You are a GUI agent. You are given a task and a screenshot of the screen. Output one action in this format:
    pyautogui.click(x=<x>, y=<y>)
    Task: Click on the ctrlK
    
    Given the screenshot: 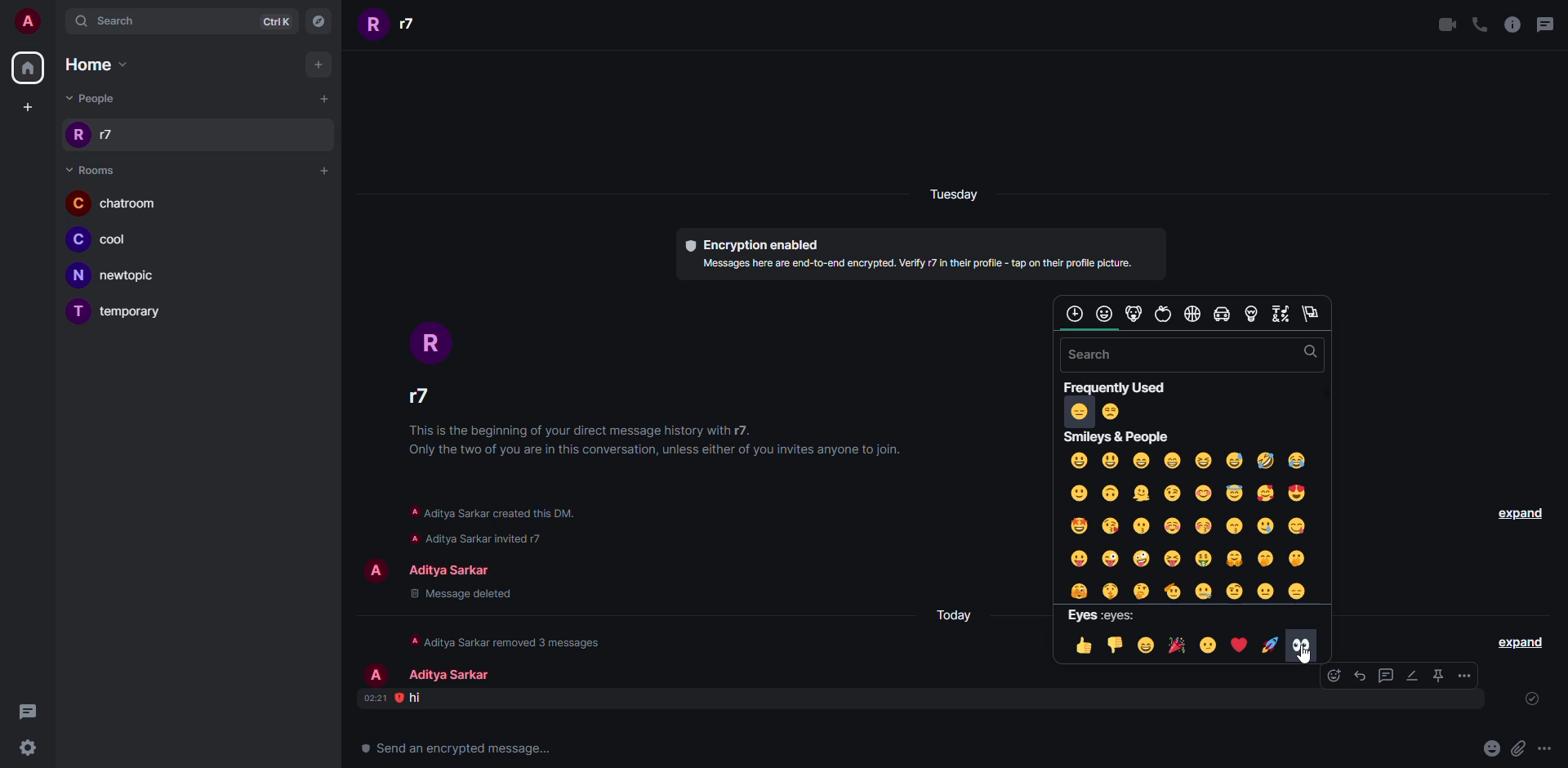 What is the action you would take?
    pyautogui.click(x=279, y=21)
    